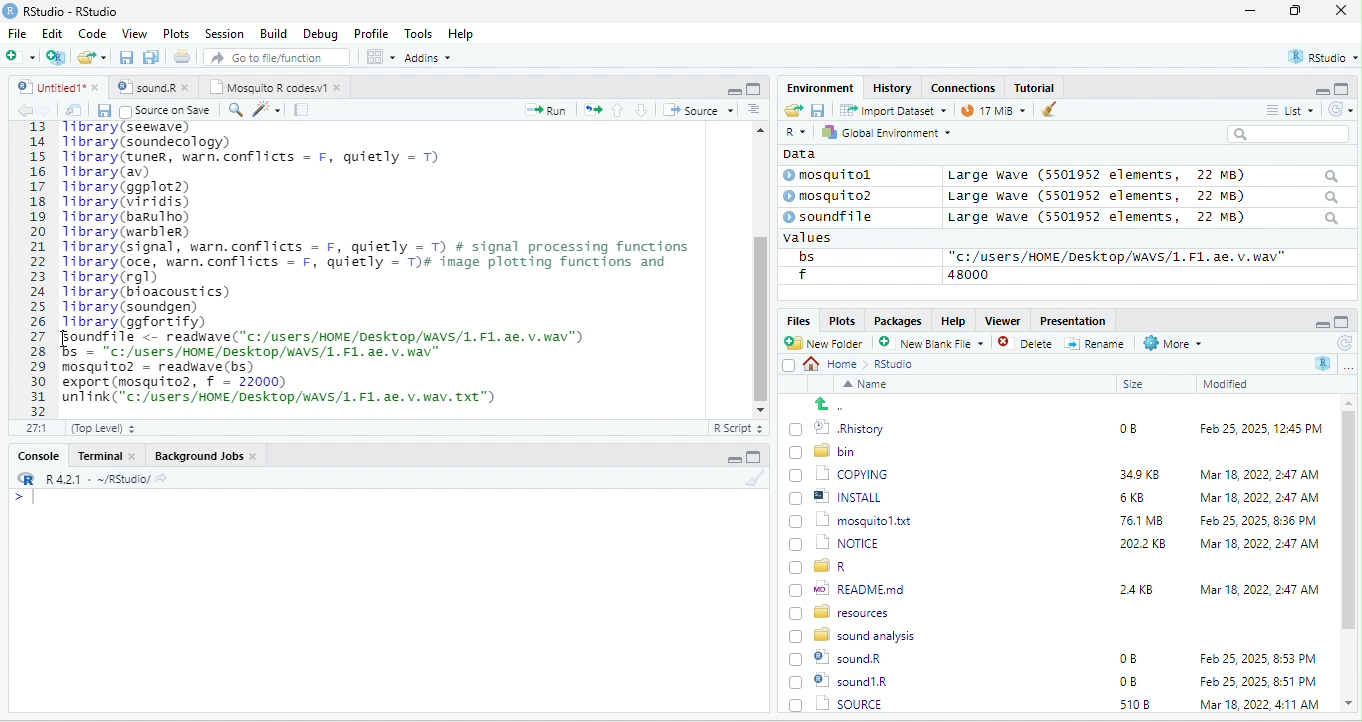 Image resolution: width=1362 pixels, height=722 pixels. Describe the element at coordinates (128, 58) in the screenshot. I see `save` at that location.